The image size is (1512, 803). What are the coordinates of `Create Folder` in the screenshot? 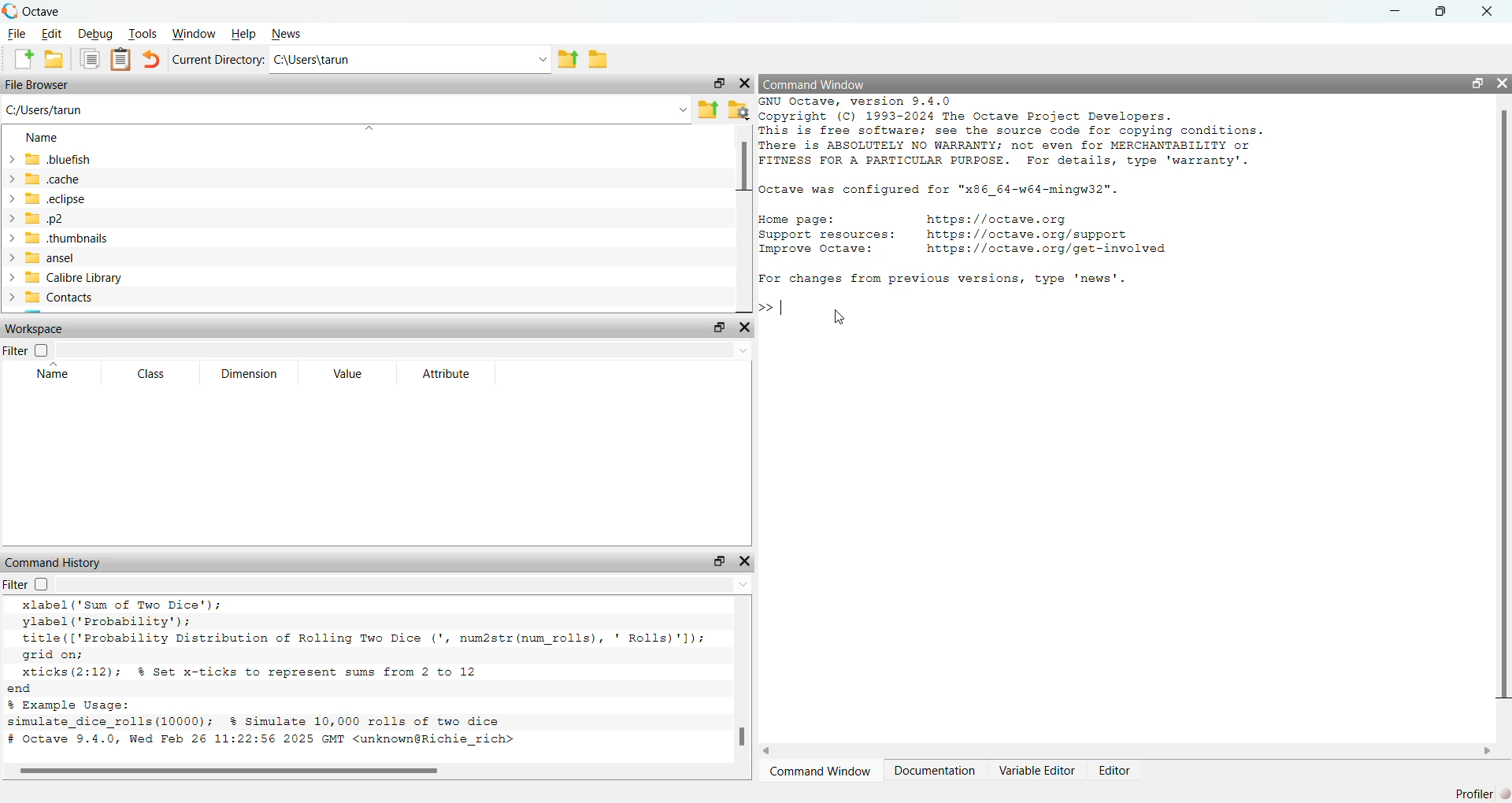 It's located at (55, 61).